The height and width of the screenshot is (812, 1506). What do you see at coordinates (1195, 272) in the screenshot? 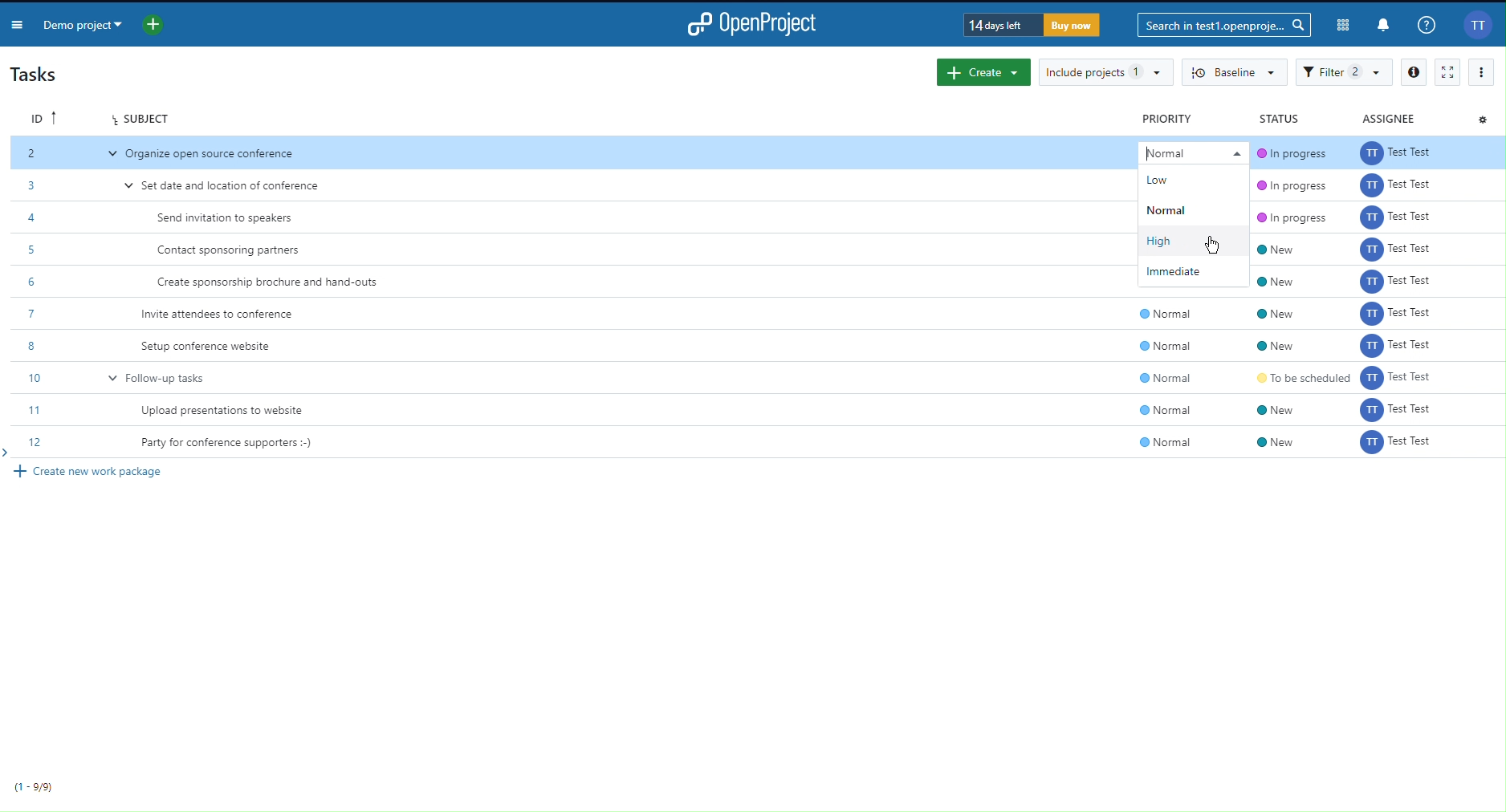
I see `Immediate` at bounding box center [1195, 272].